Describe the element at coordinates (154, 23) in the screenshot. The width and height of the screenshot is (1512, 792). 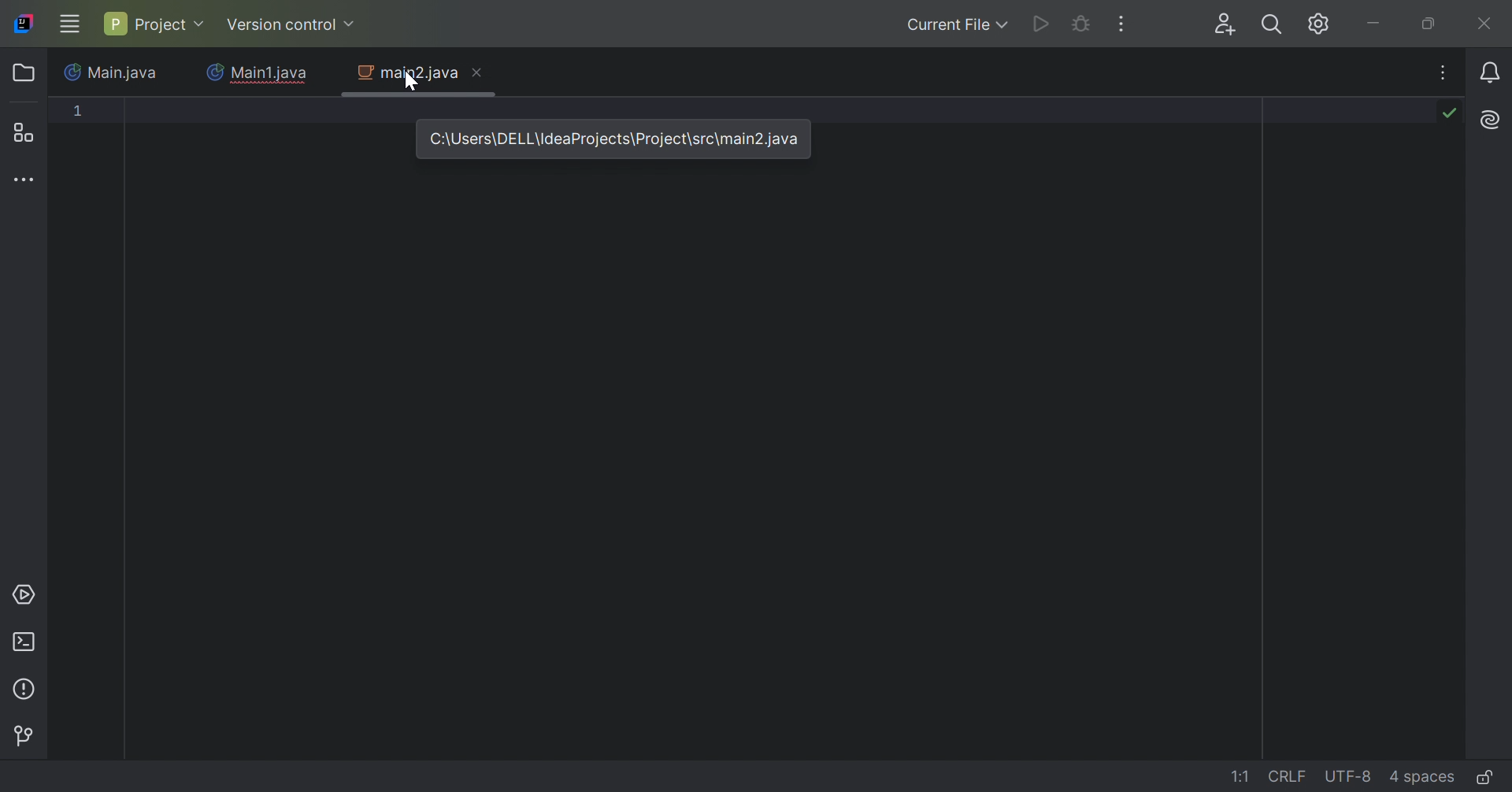
I see `Project` at that location.